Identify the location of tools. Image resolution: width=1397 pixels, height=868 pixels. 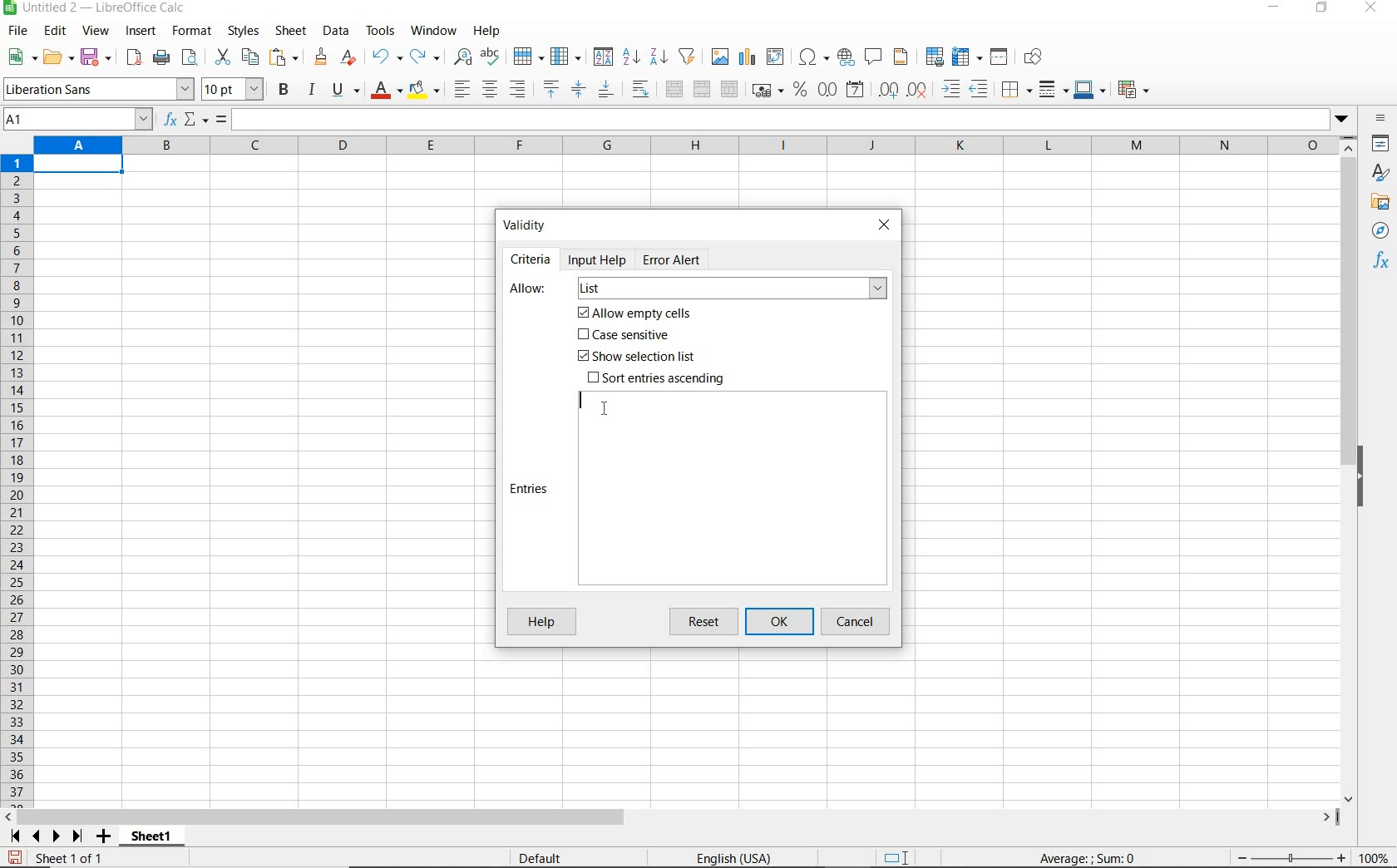
(382, 31).